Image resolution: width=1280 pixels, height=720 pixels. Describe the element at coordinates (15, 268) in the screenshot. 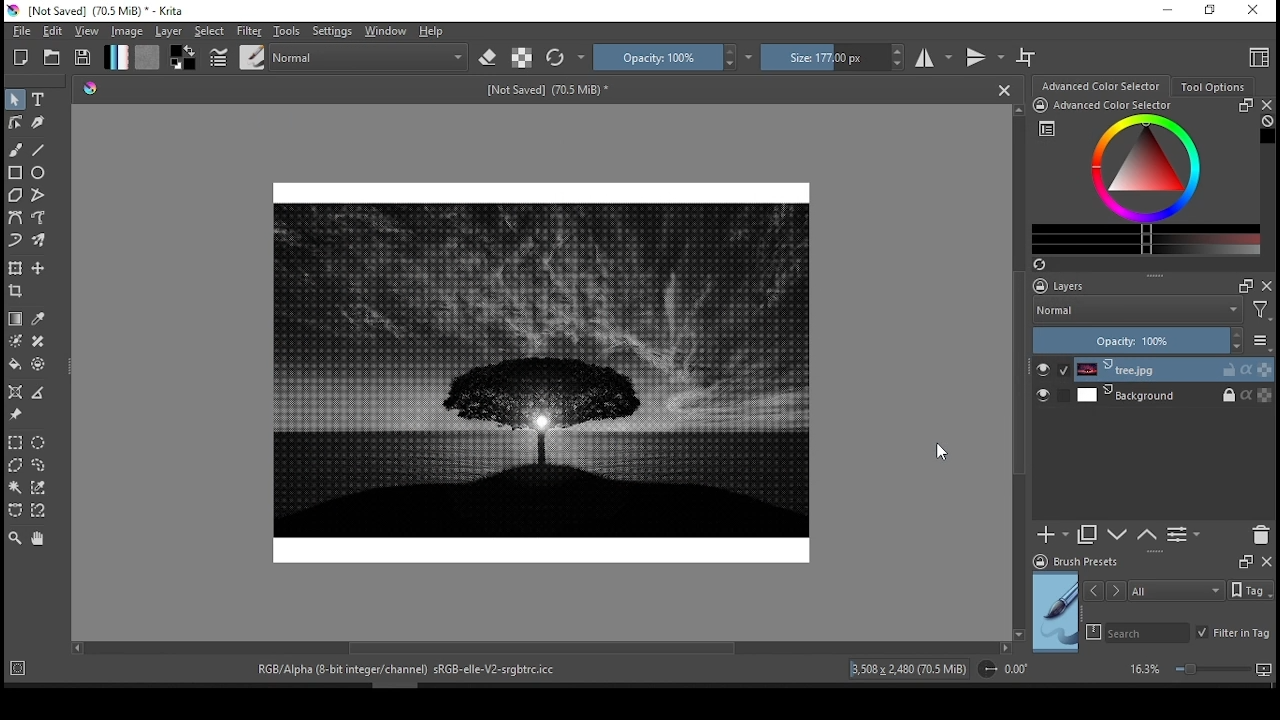

I see `transform or move a layer` at that location.